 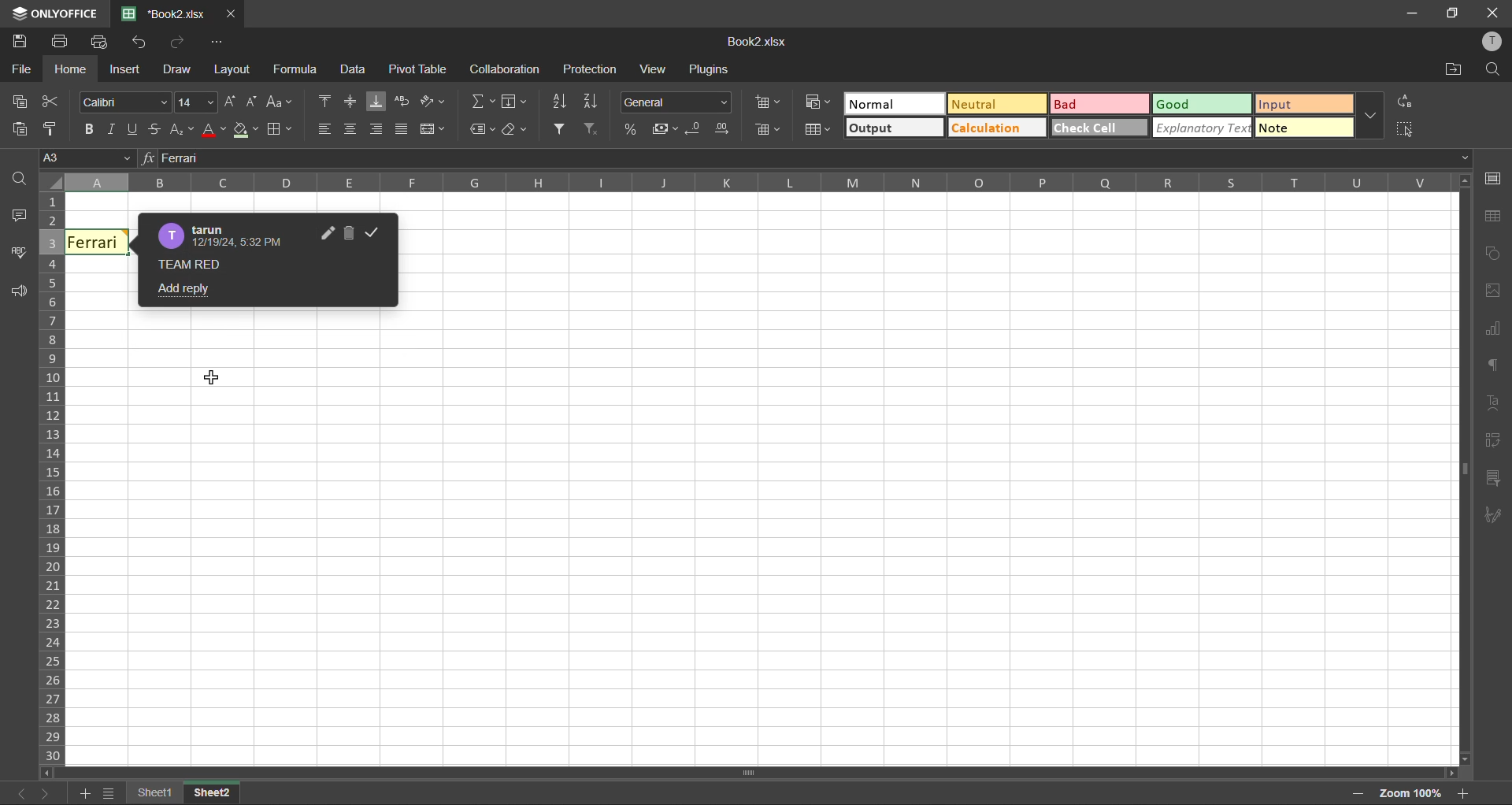 What do you see at coordinates (223, 233) in the screenshot?
I see `profile and datestamp` at bounding box center [223, 233].